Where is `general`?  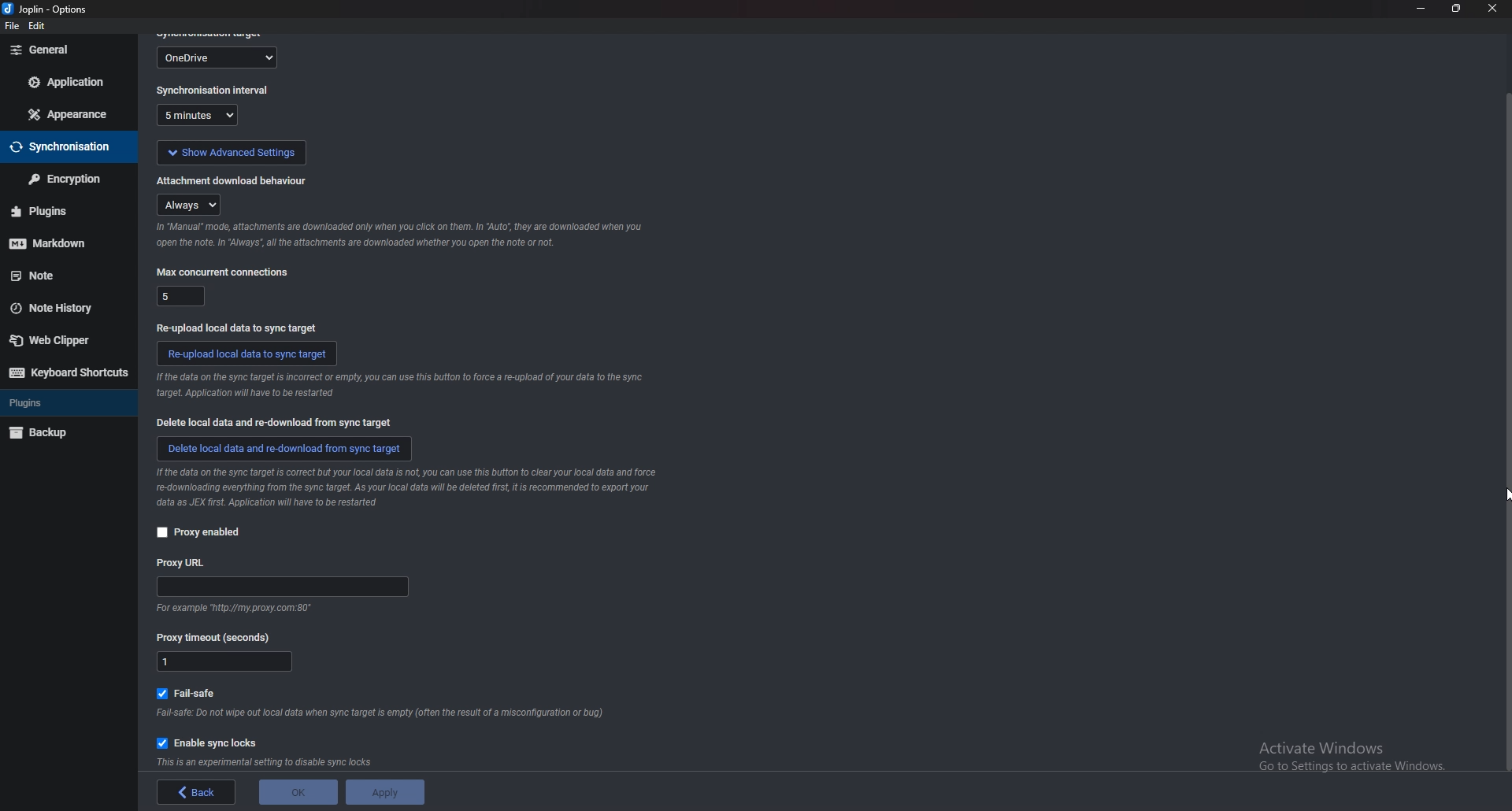
general is located at coordinates (69, 50).